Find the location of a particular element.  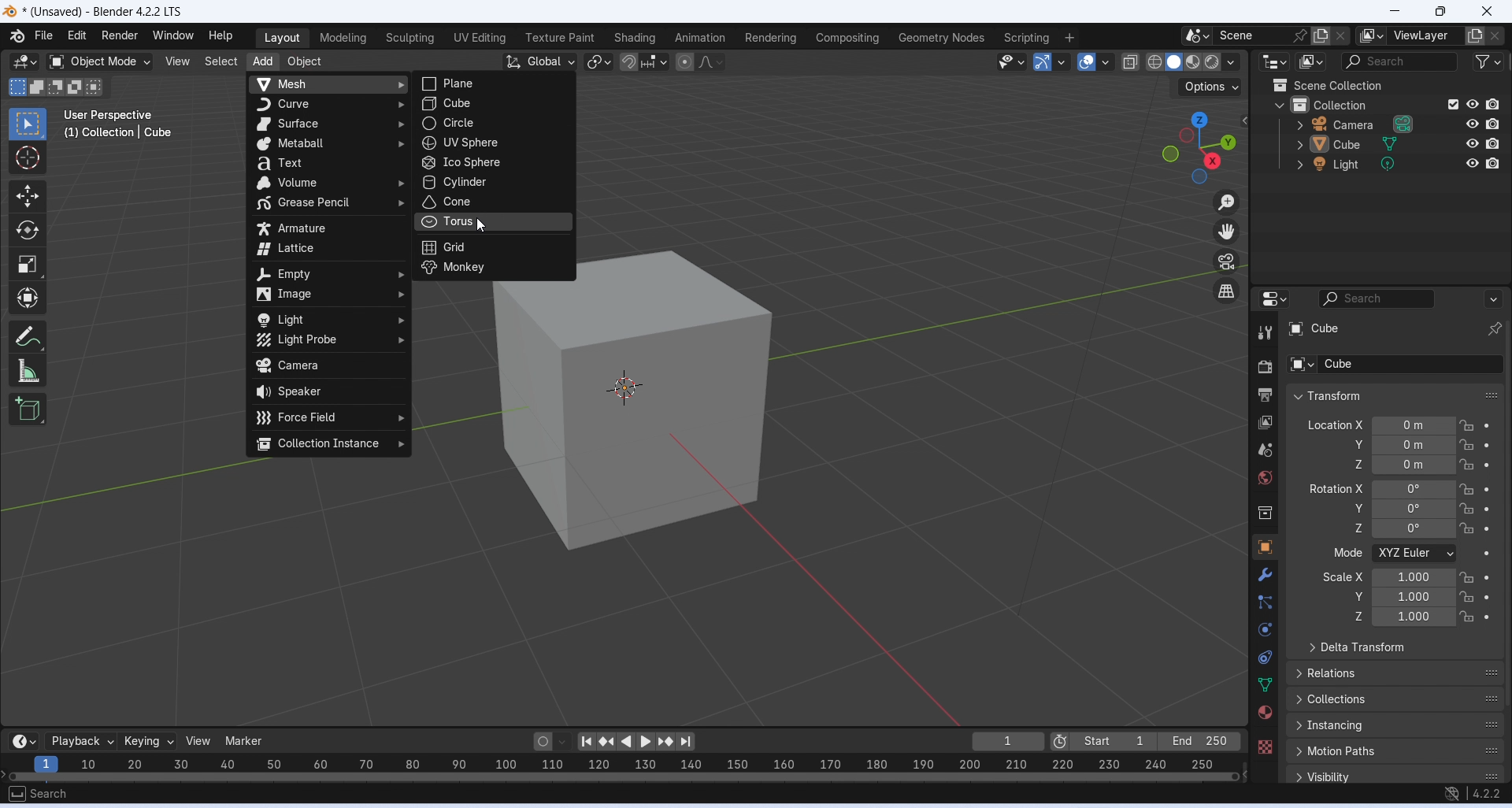

Collection layer is located at coordinates (1388, 104).